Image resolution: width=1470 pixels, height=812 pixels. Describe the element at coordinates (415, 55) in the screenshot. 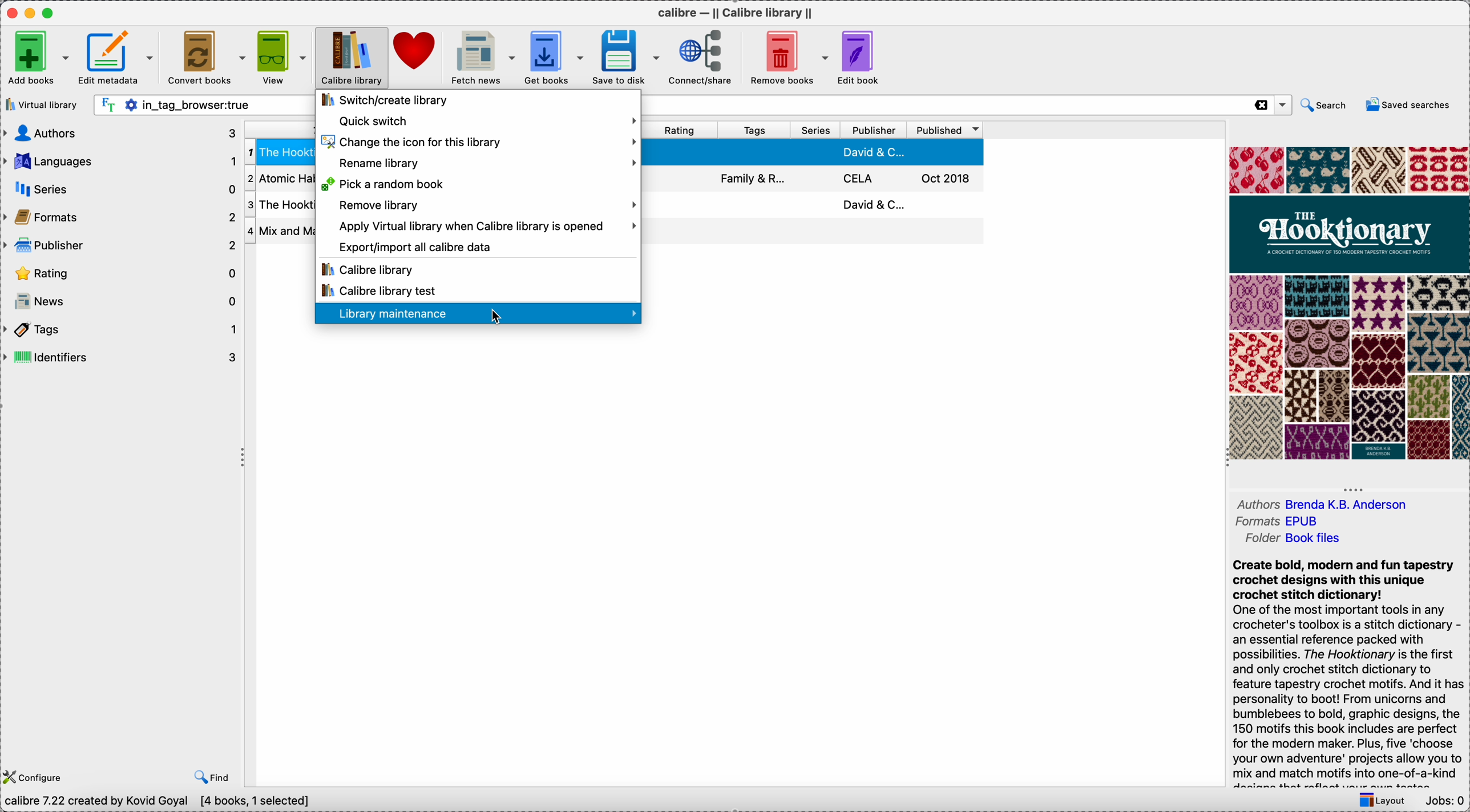

I see `donate` at that location.